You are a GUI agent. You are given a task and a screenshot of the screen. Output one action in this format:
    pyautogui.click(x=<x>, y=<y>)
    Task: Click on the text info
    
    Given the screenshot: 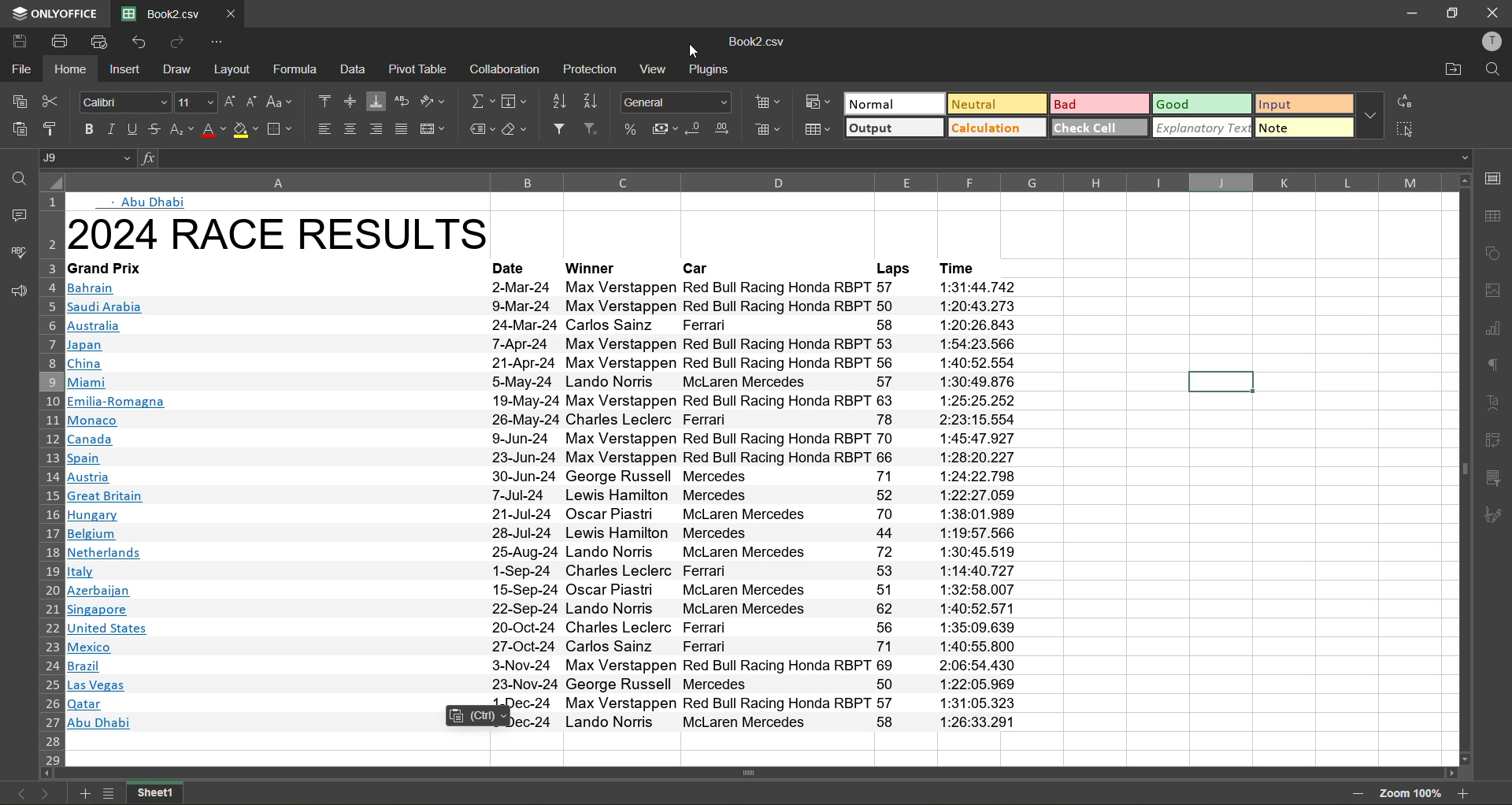 What is the action you would take?
    pyautogui.click(x=549, y=647)
    